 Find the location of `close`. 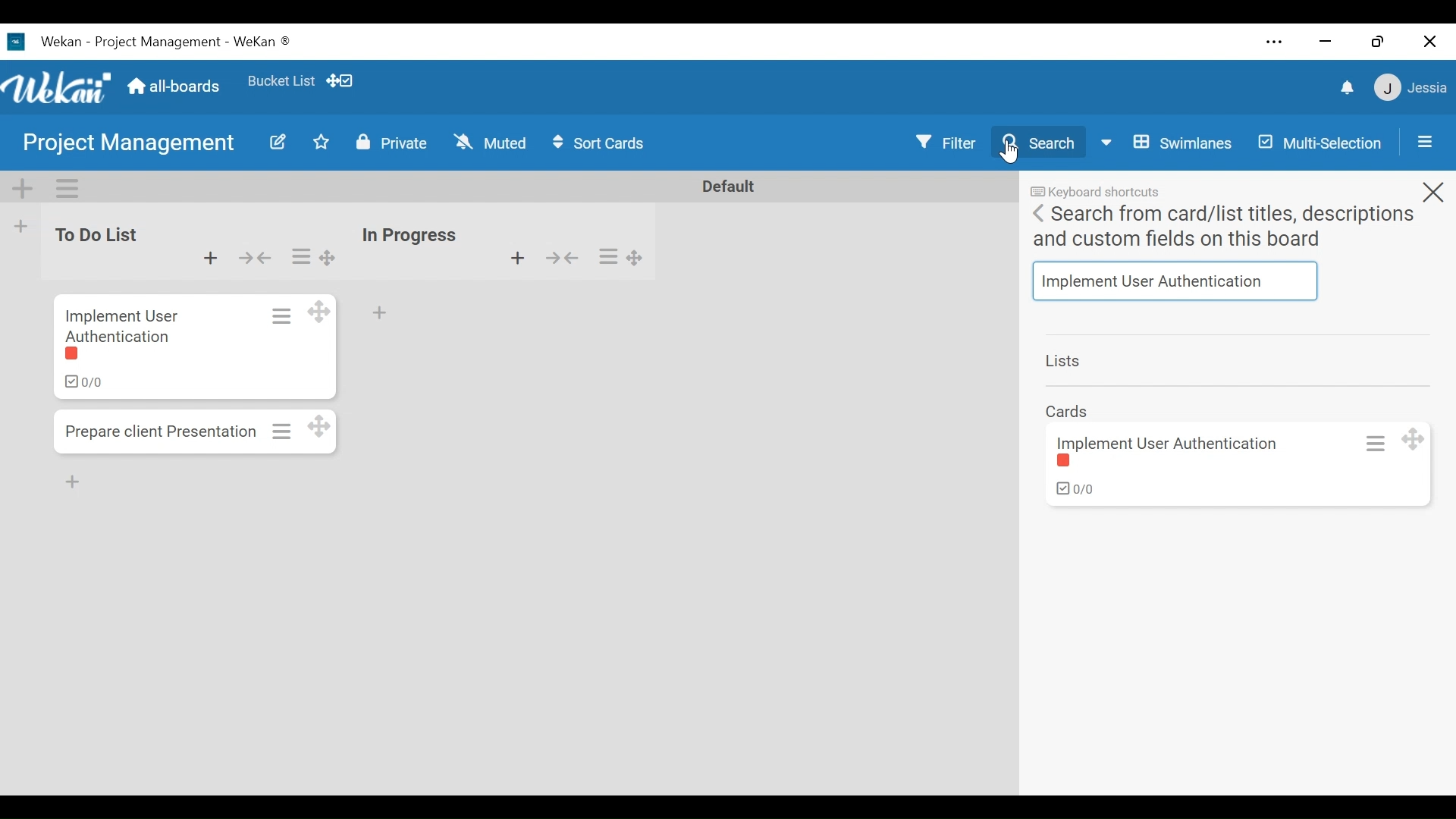

close is located at coordinates (1432, 188).